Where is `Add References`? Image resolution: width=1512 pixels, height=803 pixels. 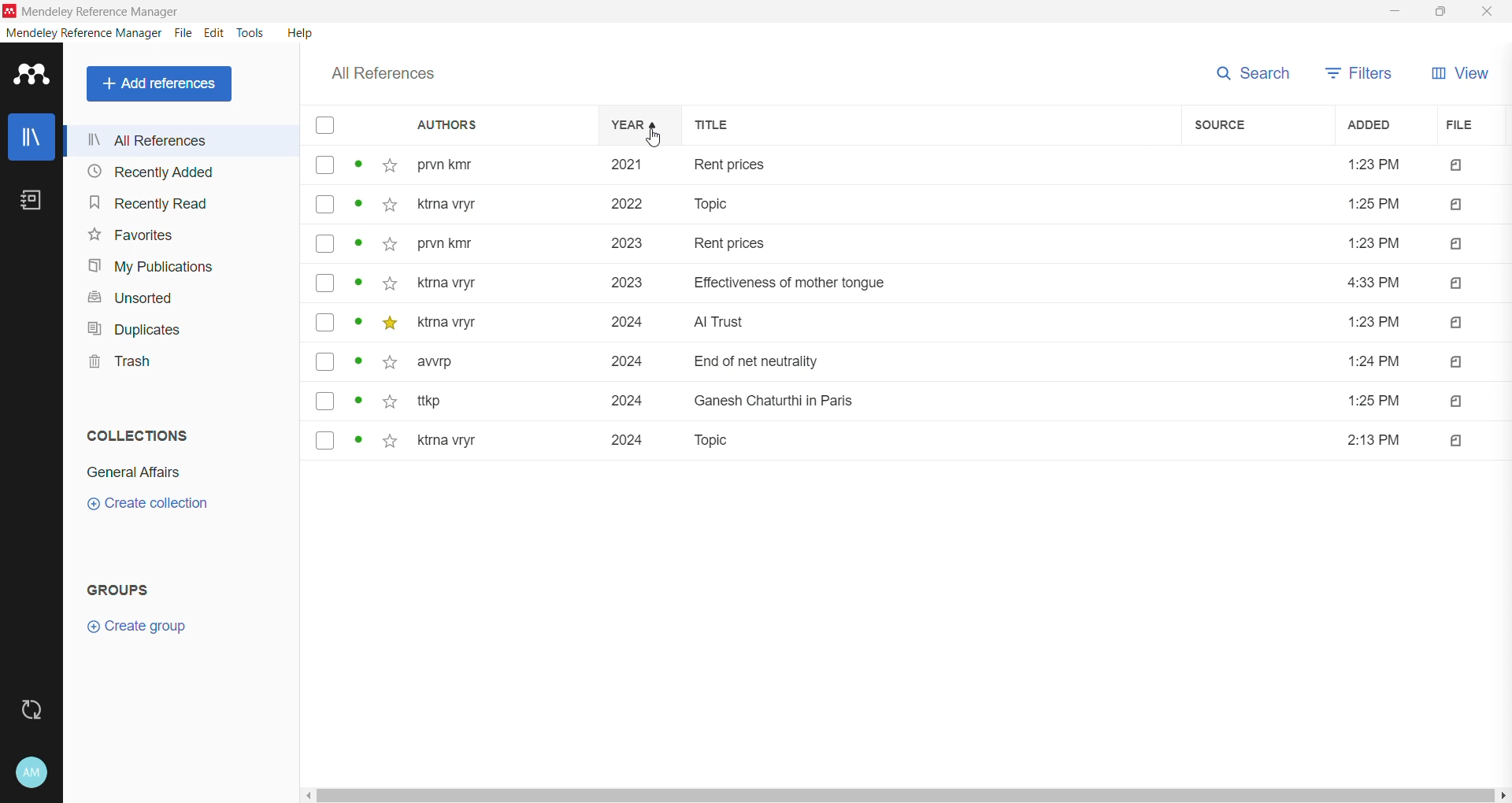
Add References is located at coordinates (161, 83).